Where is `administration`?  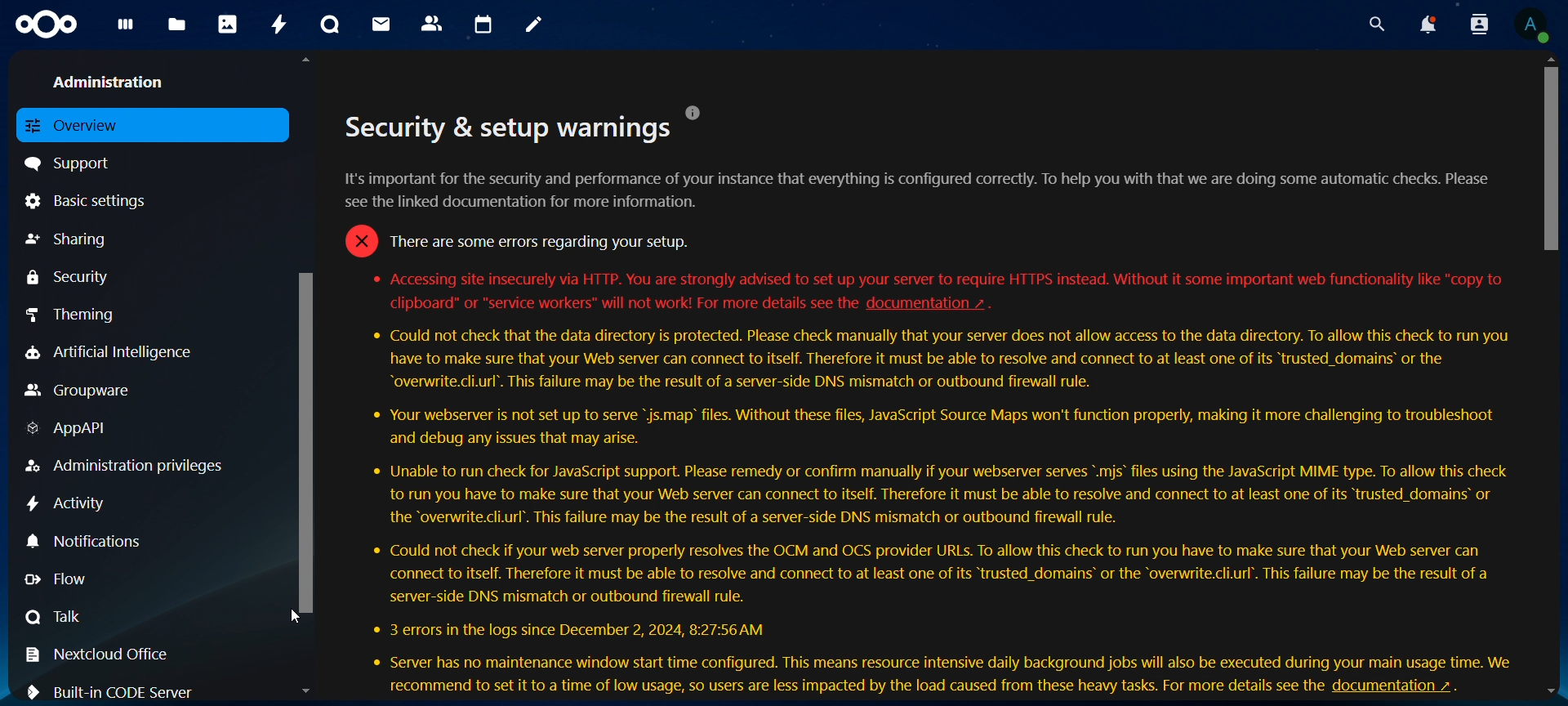 administration is located at coordinates (114, 80).